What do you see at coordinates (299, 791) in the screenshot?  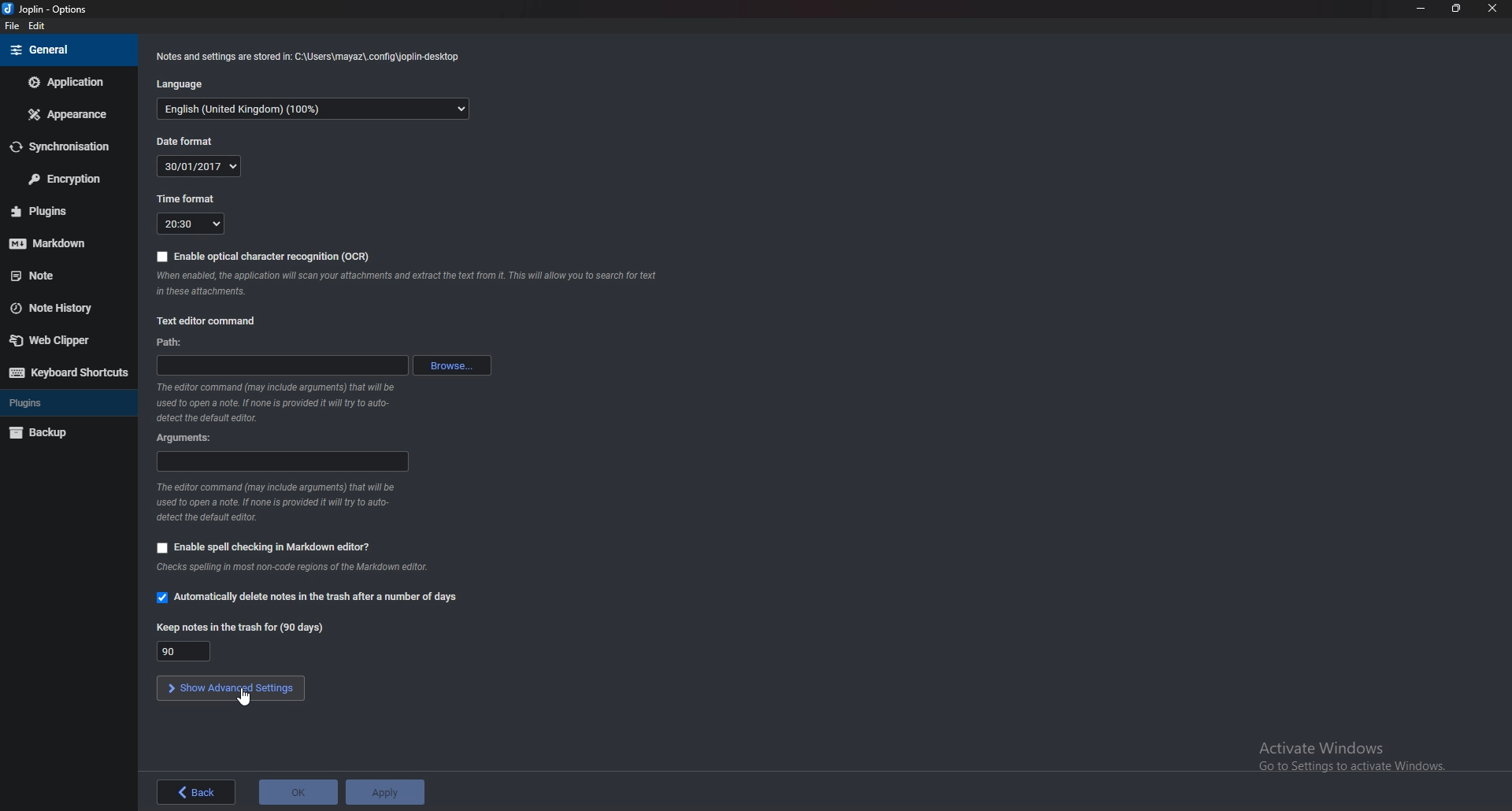 I see `ok` at bounding box center [299, 791].